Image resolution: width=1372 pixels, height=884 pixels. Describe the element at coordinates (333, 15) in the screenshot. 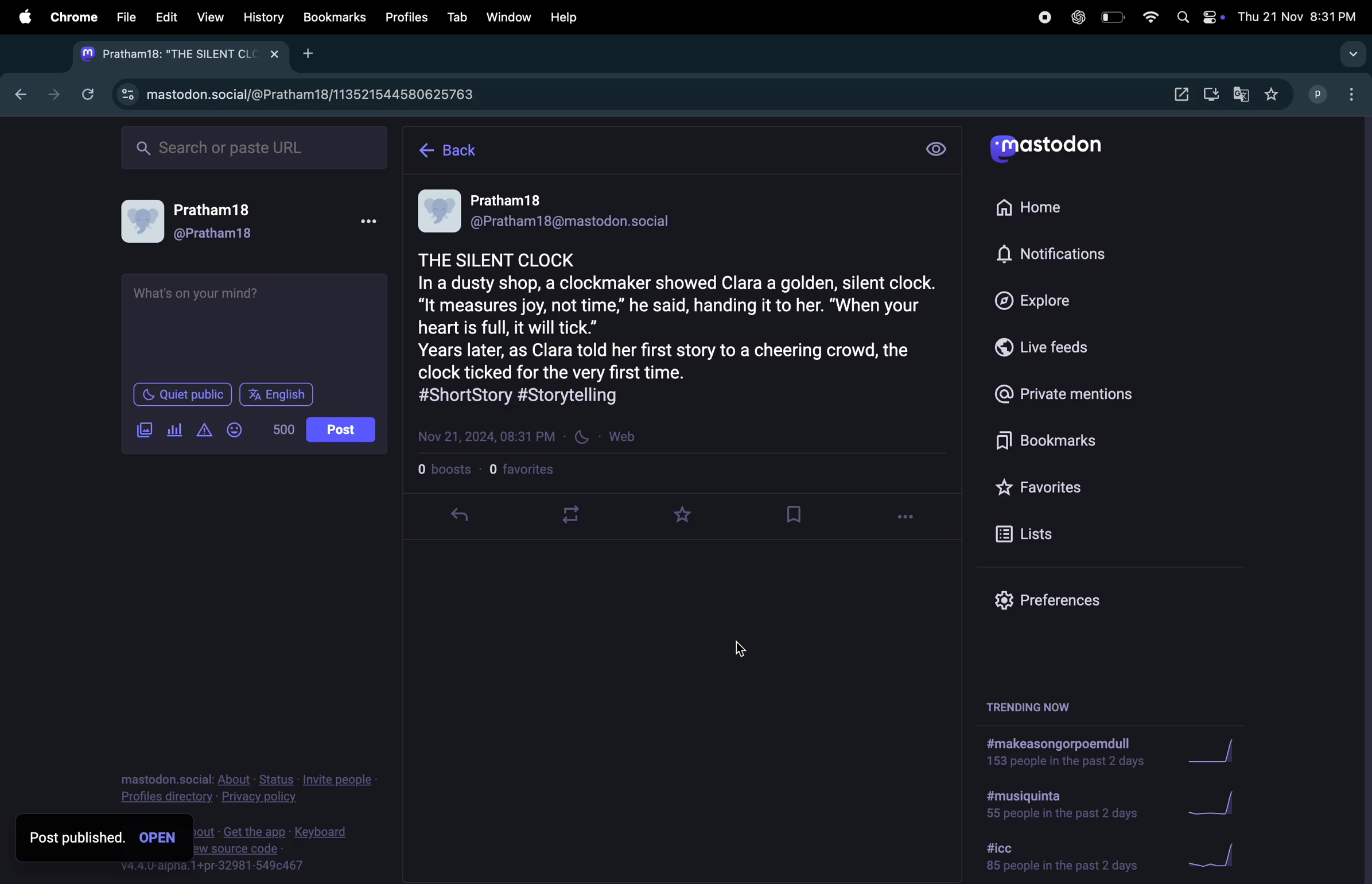

I see `book marks` at that location.